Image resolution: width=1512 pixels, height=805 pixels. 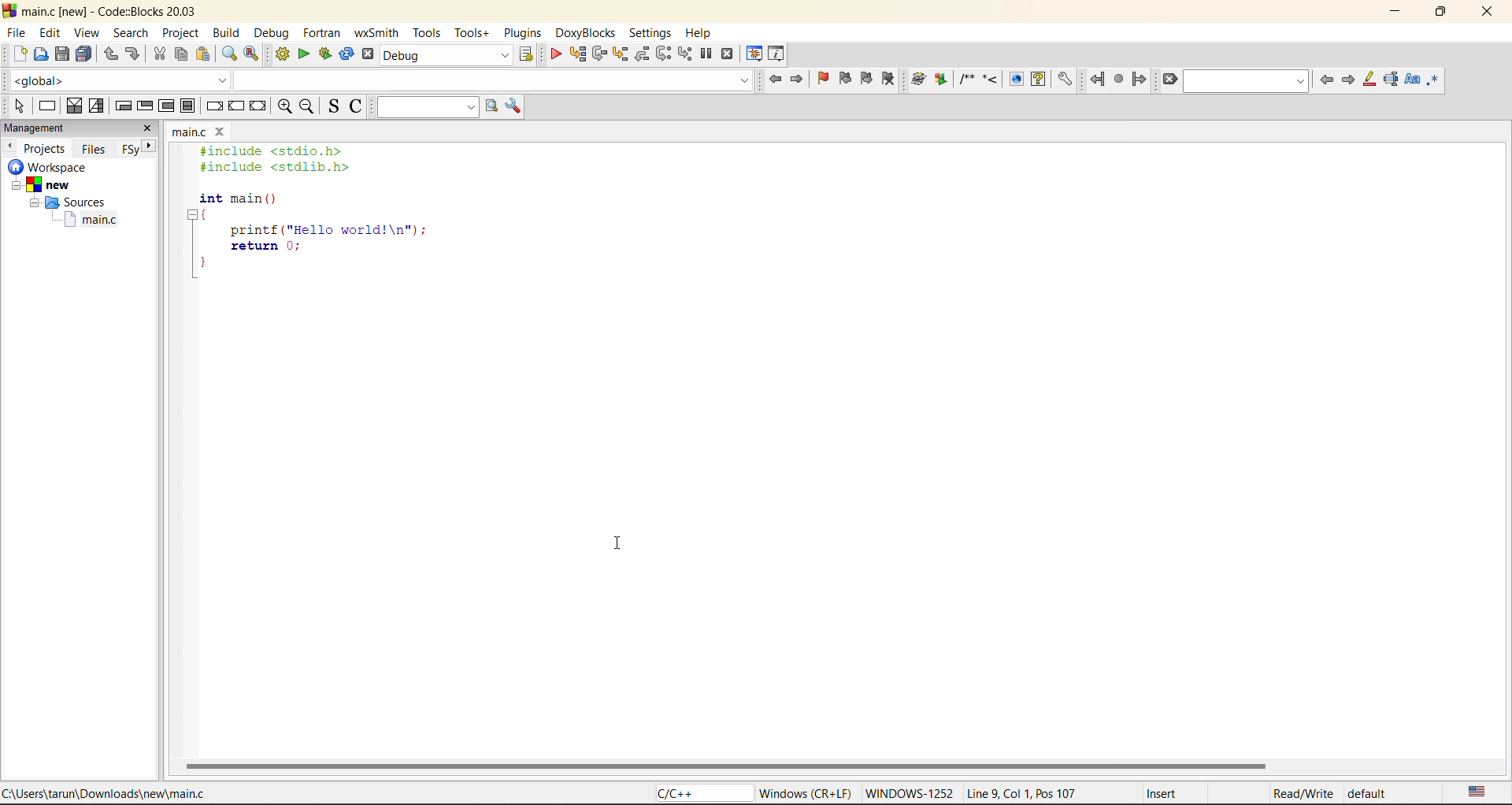 I want to click on main.c, so click(x=72, y=220).